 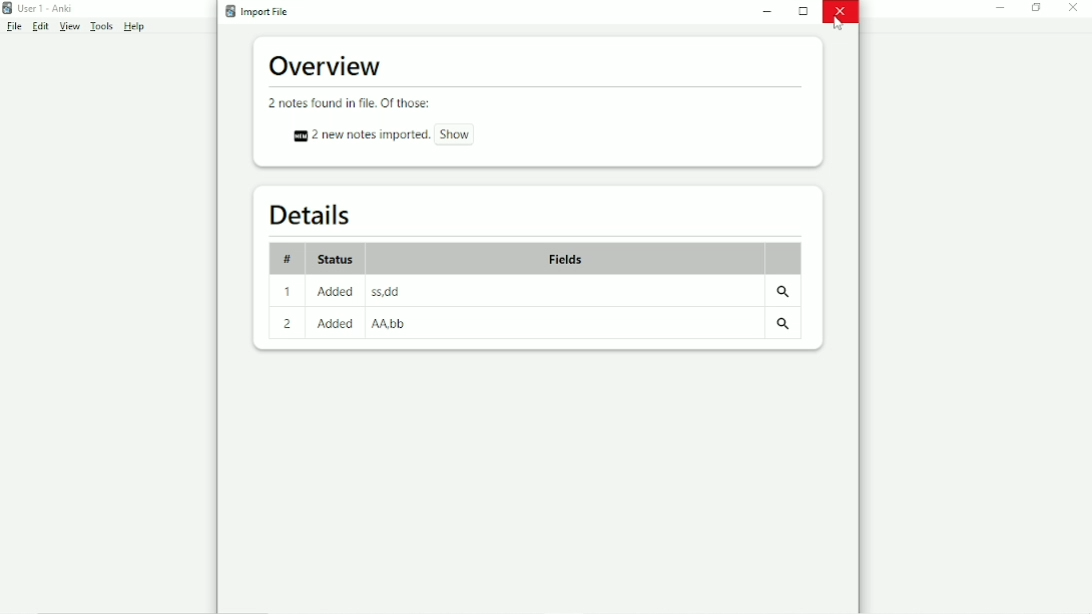 I want to click on Help, so click(x=134, y=26).